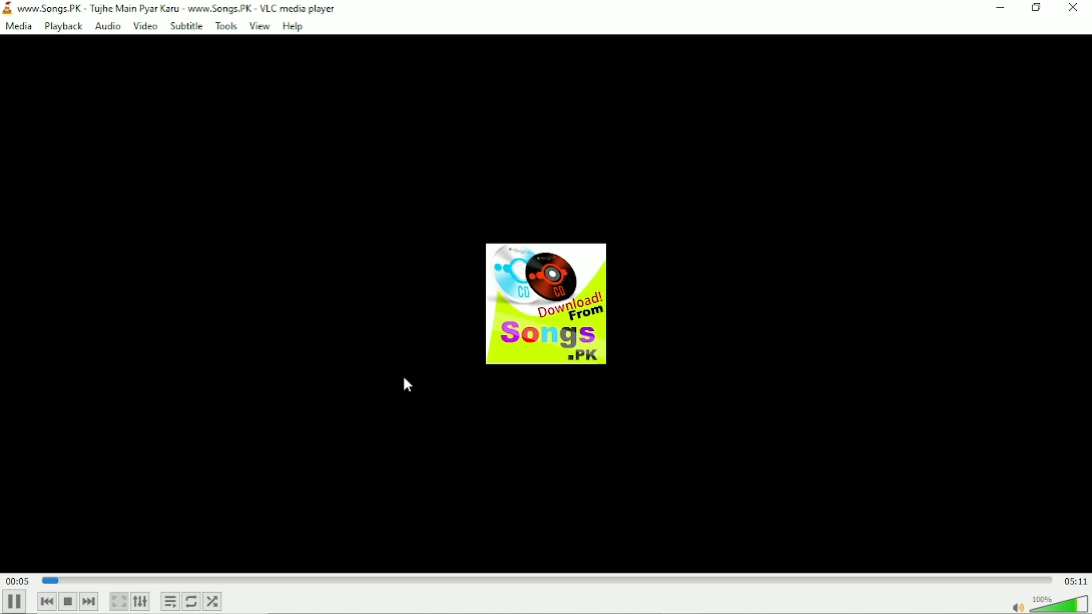 The image size is (1092, 614). Describe the element at coordinates (16, 601) in the screenshot. I see `Pause` at that location.